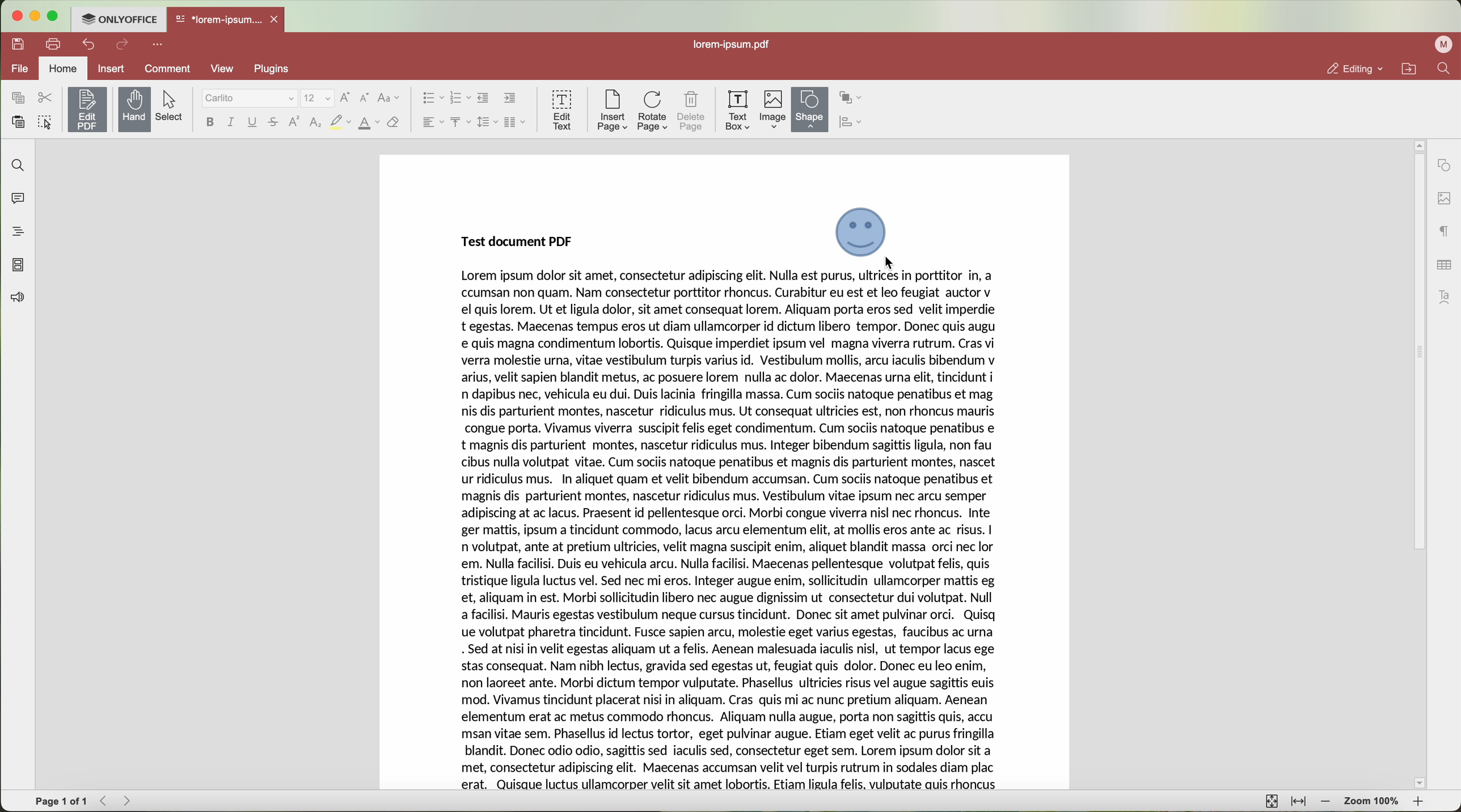 The height and width of the screenshot is (812, 1461). I want to click on paste, so click(19, 122).